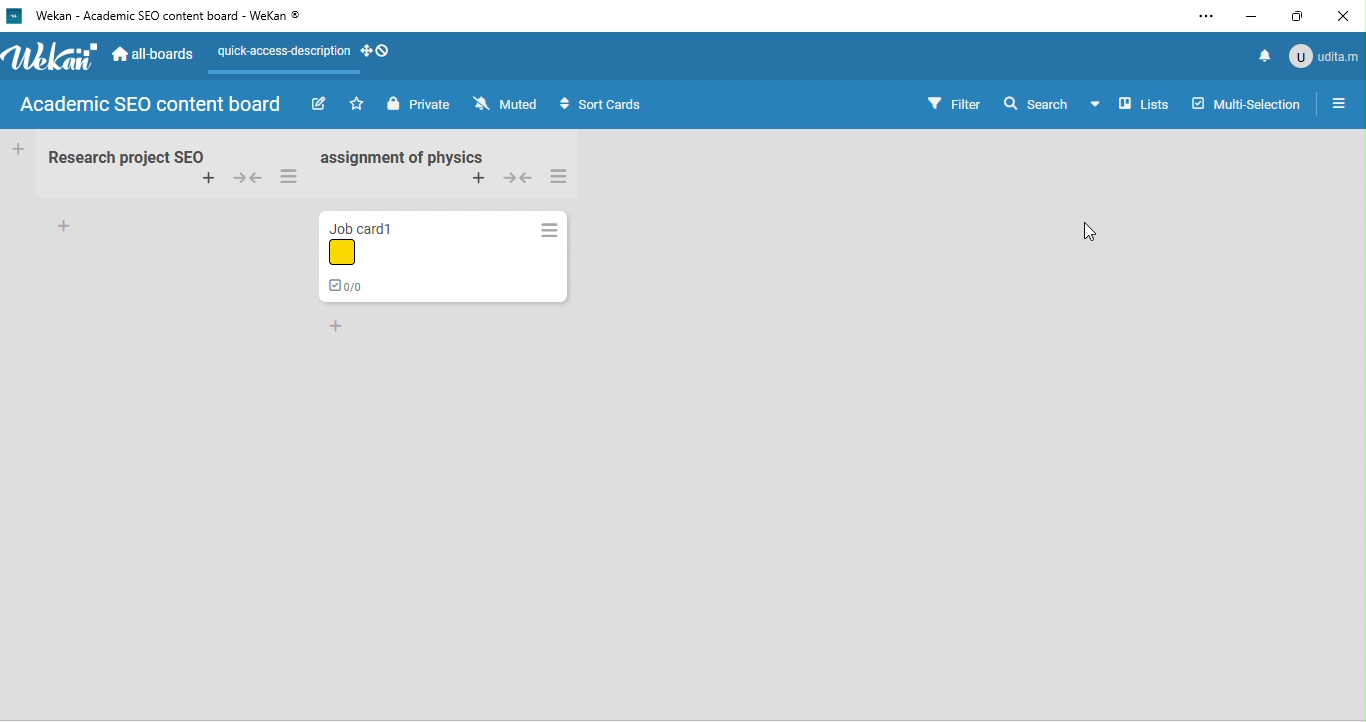 The height and width of the screenshot is (722, 1366). Describe the element at coordinates (318, 105) in the screenshot. I see `edit` at that location.